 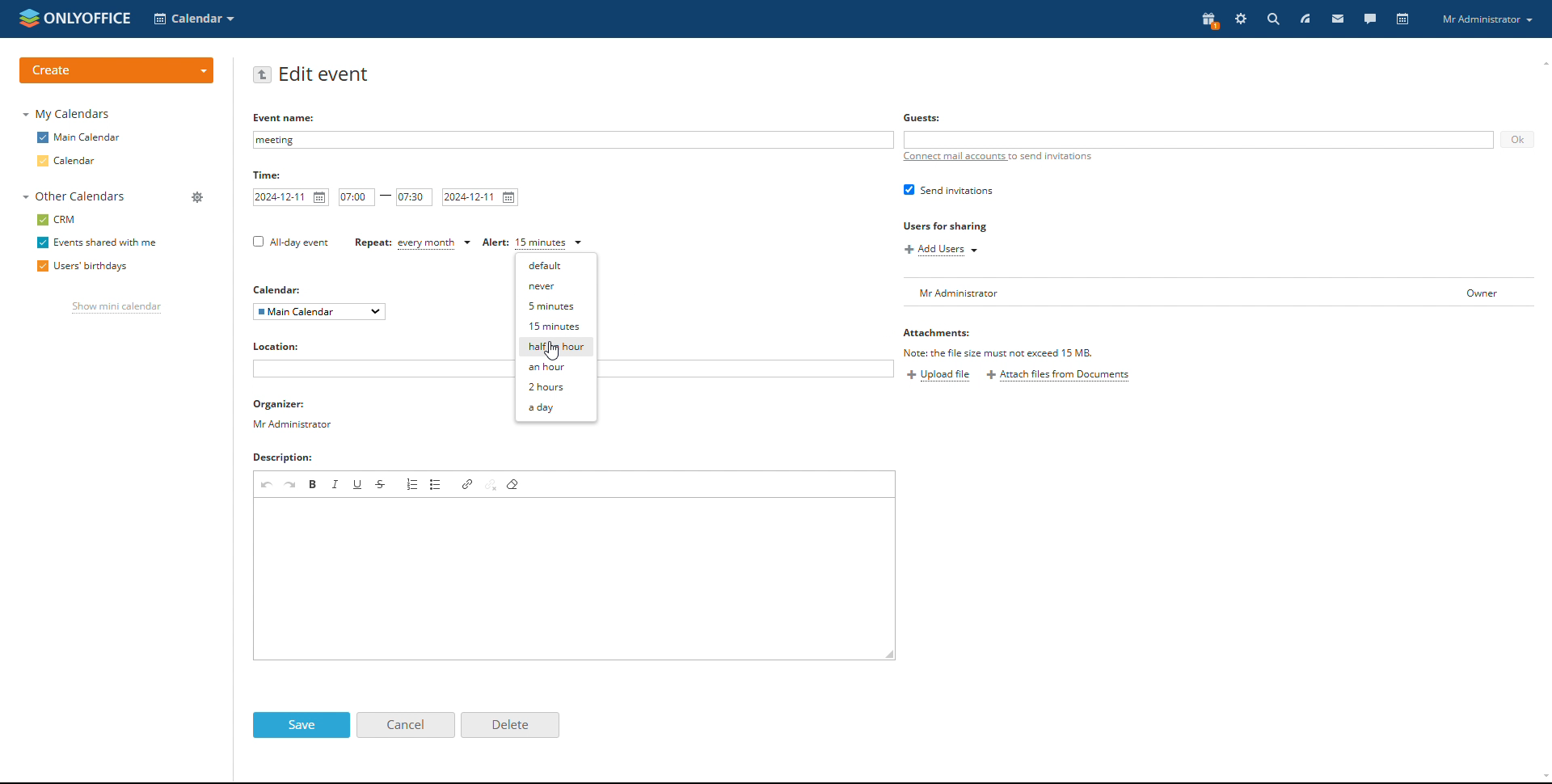 What do you see at coordinates (555, 286) in the screenshot?
I see `never` at bounding box center [555, 286].